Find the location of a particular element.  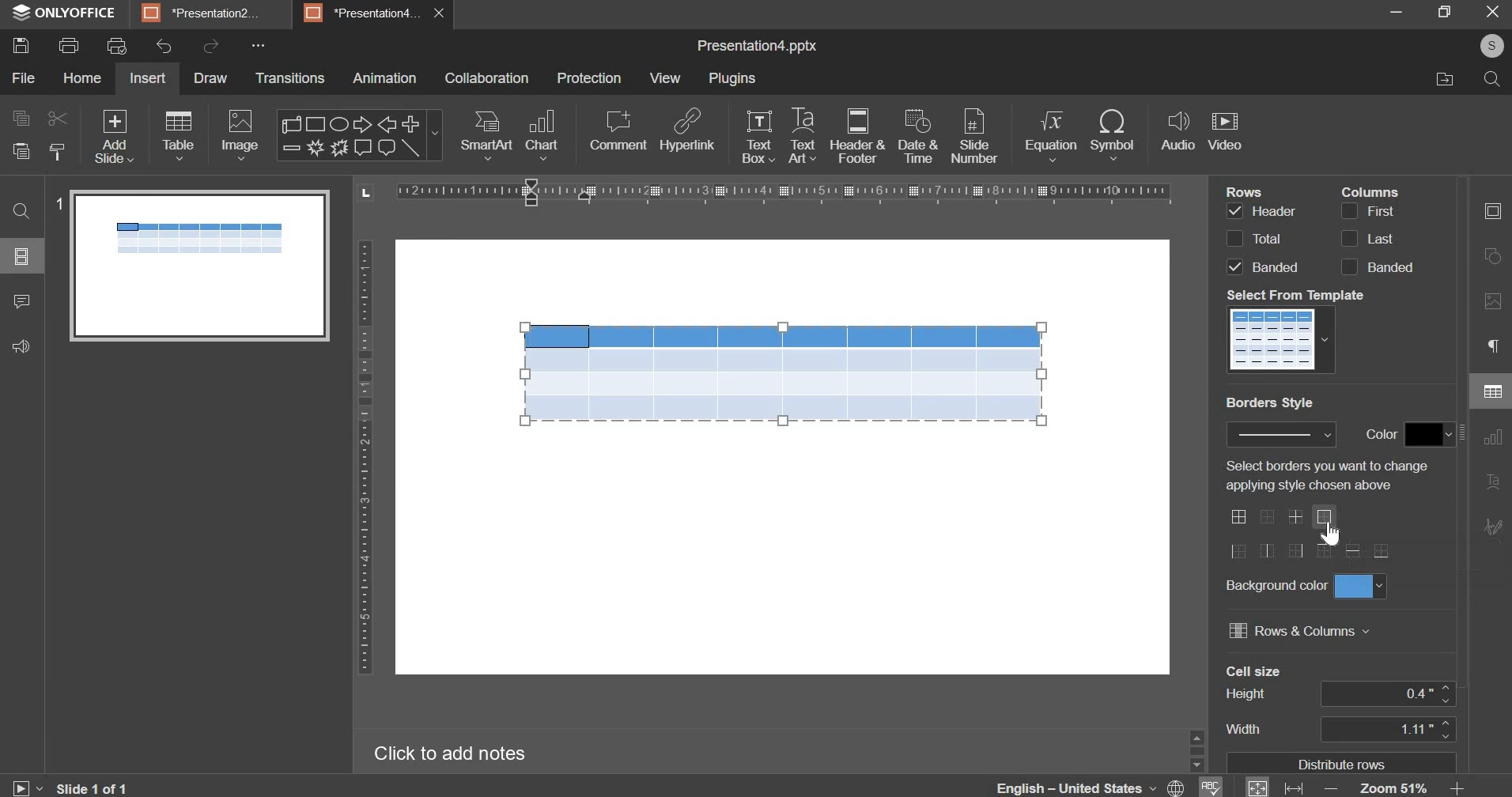

last is located at coordinates (1371, 239).